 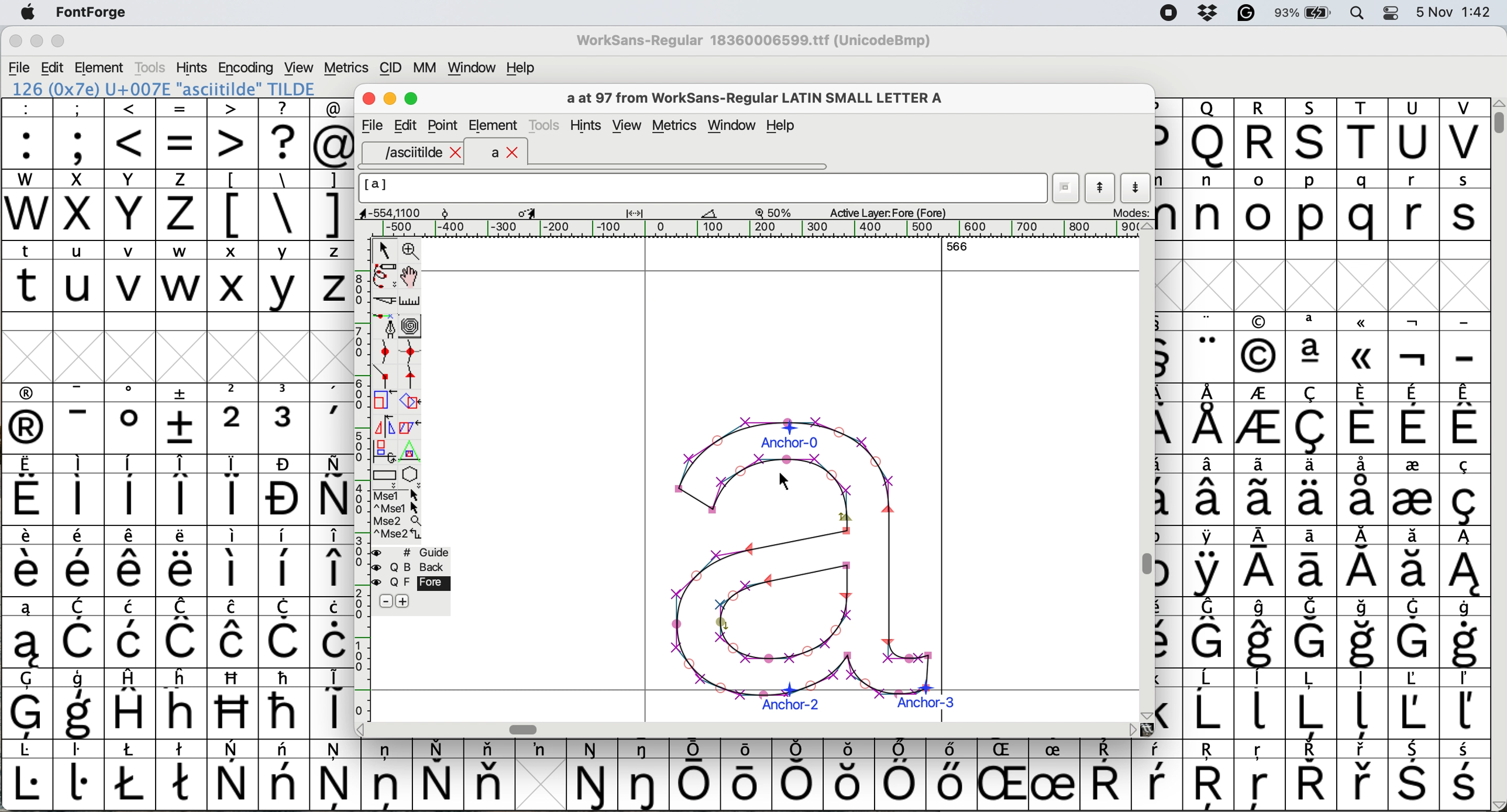 What do you see at coordinates (1260, 563) in the screenshot?
I see `symbol` at bounding box center [1260, 563].